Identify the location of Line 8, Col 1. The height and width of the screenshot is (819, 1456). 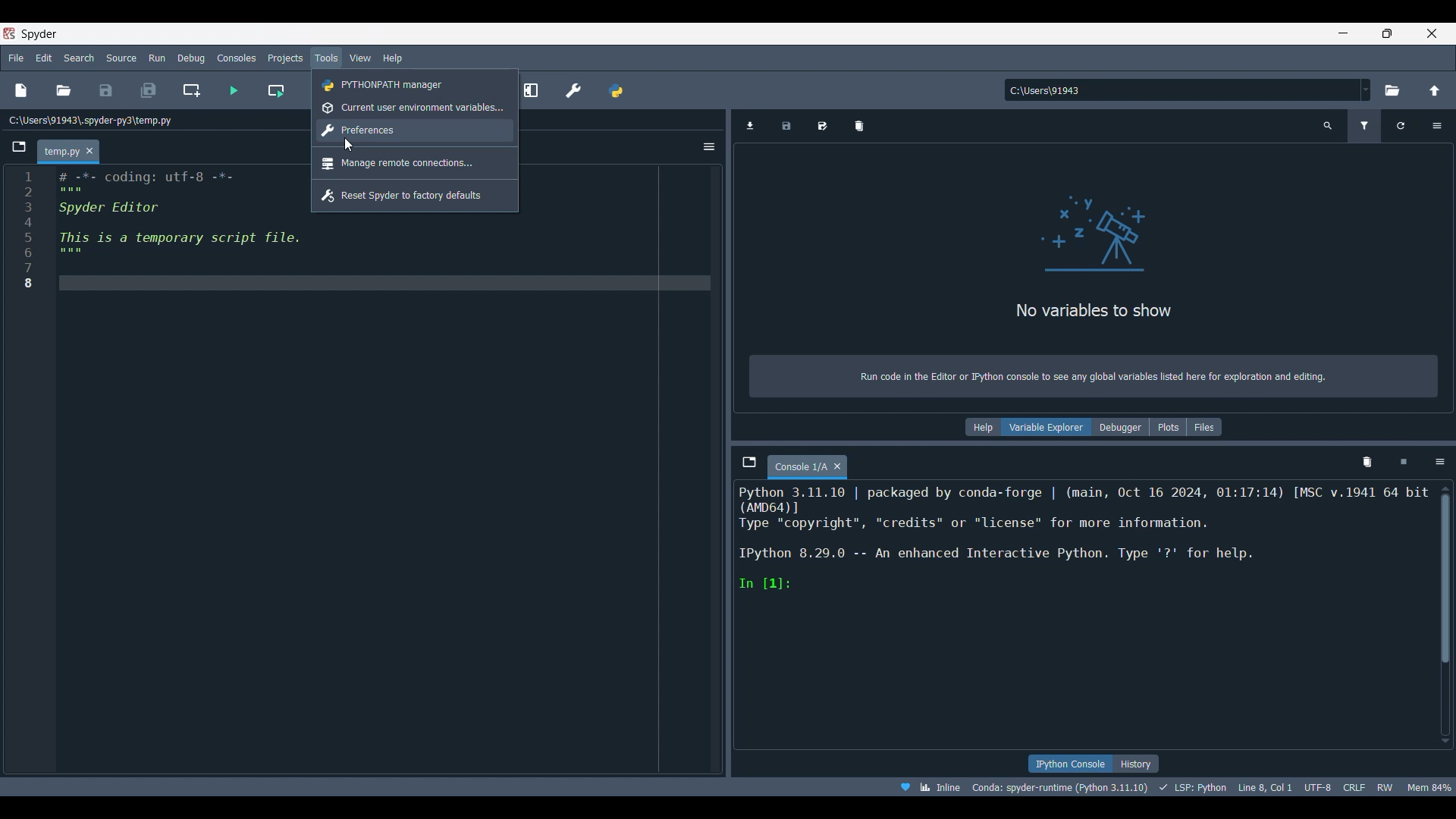
(1263, 787).